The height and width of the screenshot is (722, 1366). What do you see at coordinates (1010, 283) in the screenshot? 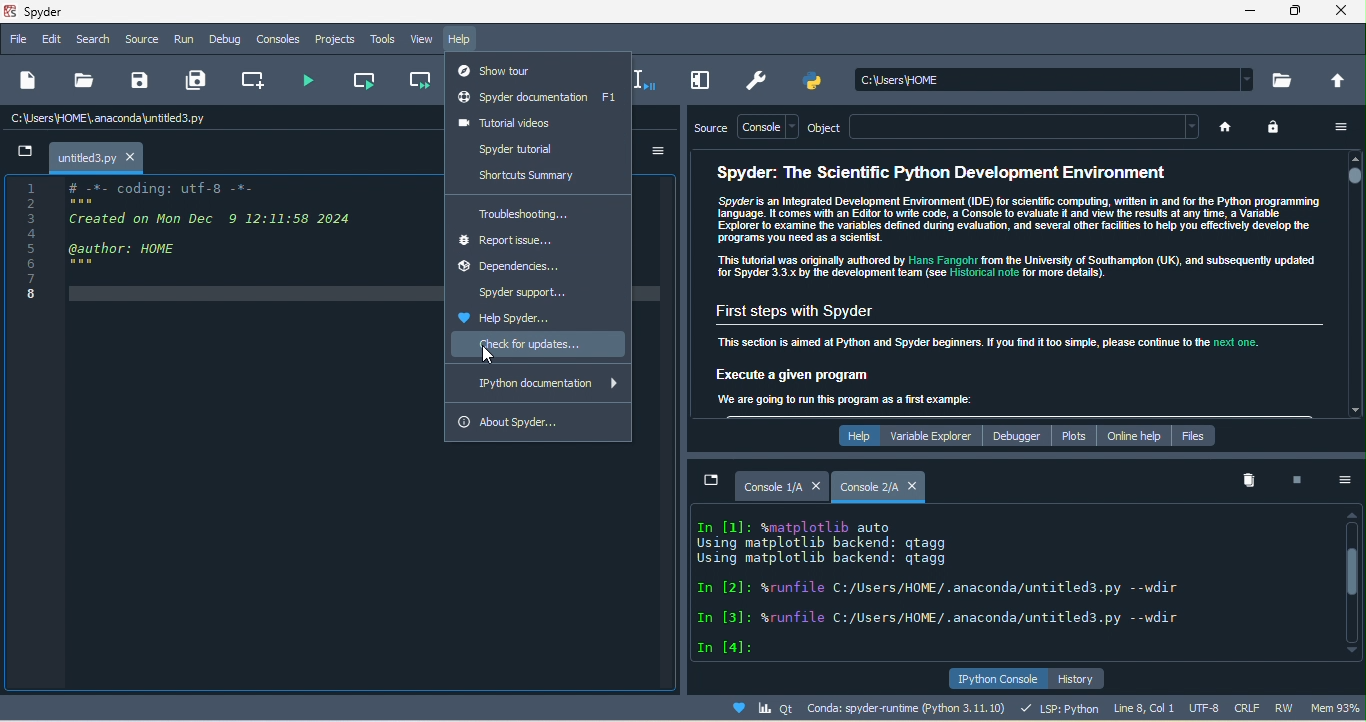
I see `Spyder: The Scientific Python Development Environment

Spyder is an Integrated Development Environment (IDE) for scientific computing, written in and for the Python programming
anguage. comes win an Edior 10 wre Code, a Consol 10 evalu 4 and view he resus af any ime. a Vara
Expore 0 examine ie variables defined dug evasion, and Several ther facilis 1 help you efccivel develop he
Programs you need a5 8 scents

This tutorial was orginal authored by 1s Fanghs rom the University of Southampton (UK), and subsequent updated
{or Spyder 3.3 oy ihe development eam (se 5.1¢3 nol for more deta)

First steps with Spyder

This section is aimed at Python and Spyder beginners. If you find it too simple, please continue to the next one.
Execute a given program

Ter Te` at bounding box center [1010, 283].